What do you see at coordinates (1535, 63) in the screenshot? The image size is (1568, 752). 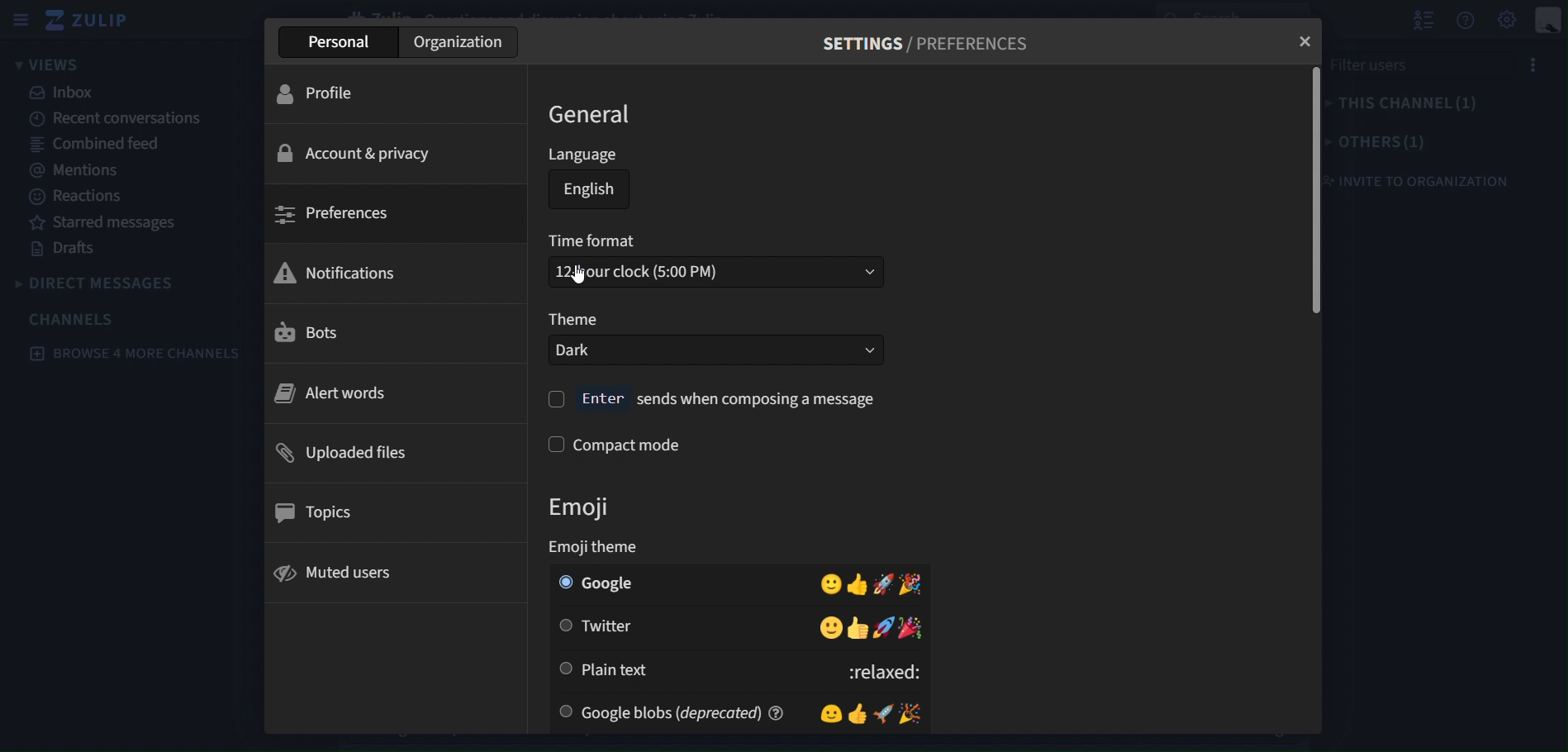 I see `options` at bounding box center [1535, 63].